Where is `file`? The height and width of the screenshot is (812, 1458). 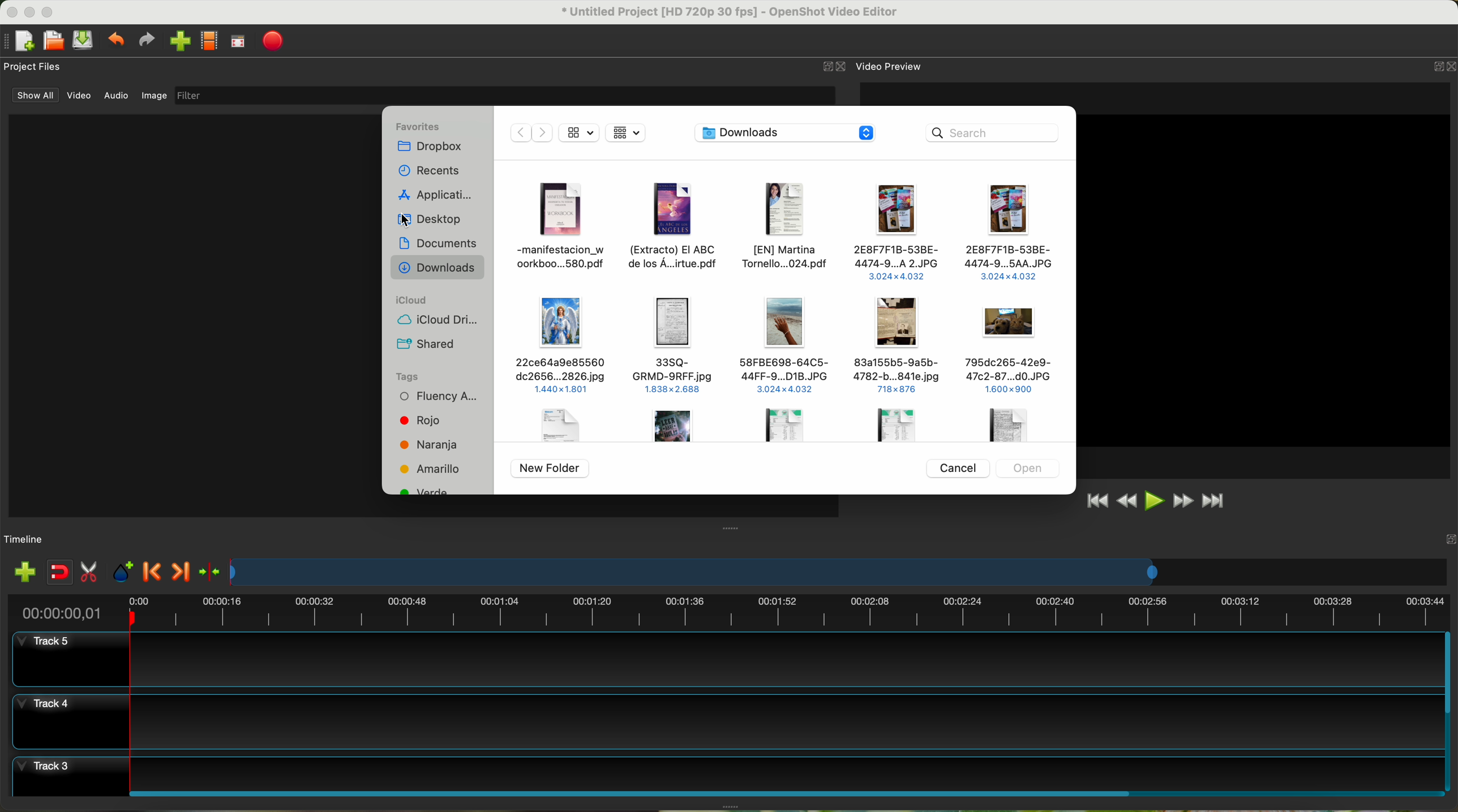 file is located at coordinates (786, 227).